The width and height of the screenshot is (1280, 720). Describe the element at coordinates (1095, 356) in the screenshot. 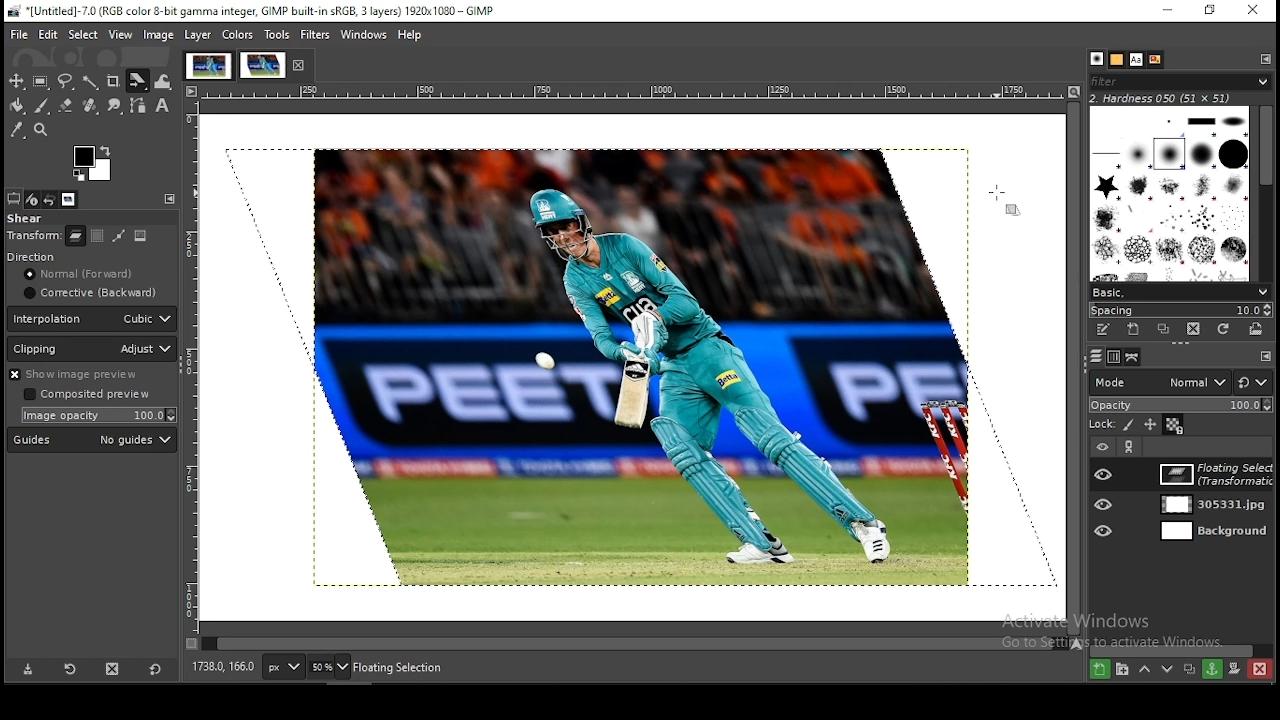

I see `paths` at that location.